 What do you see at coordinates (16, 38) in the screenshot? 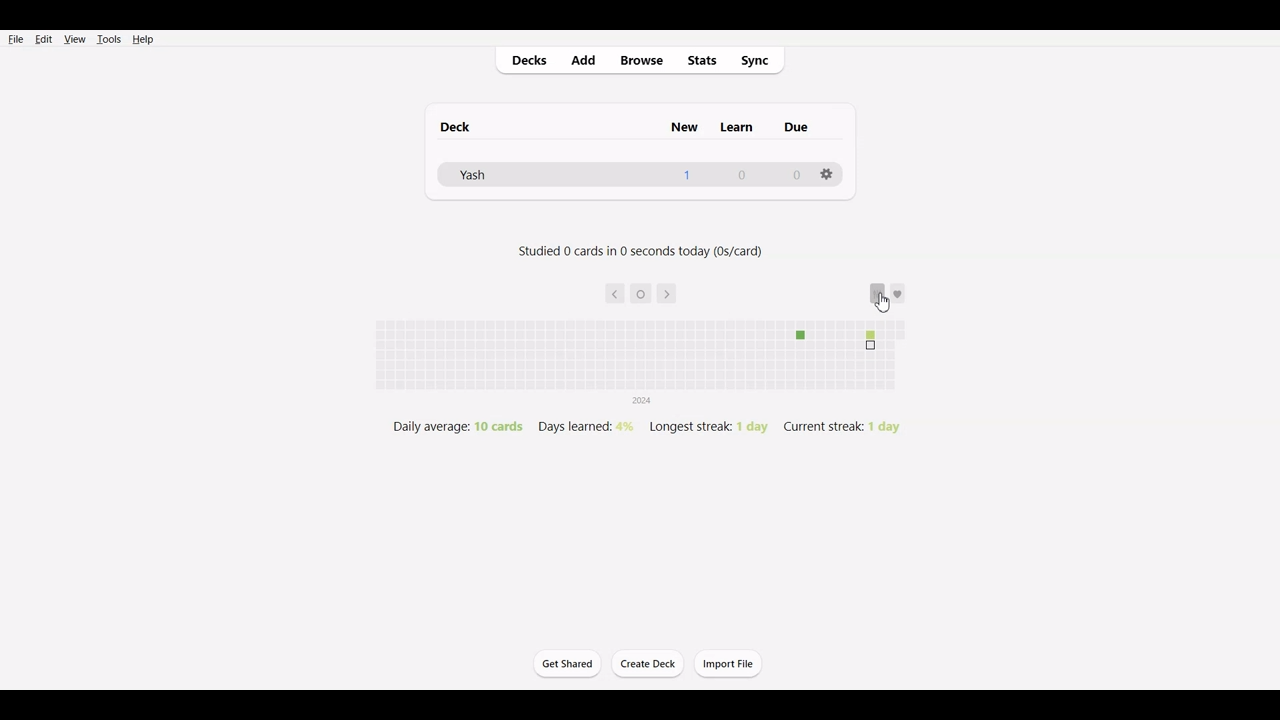
I see `File` at bounding box center [16, 38].